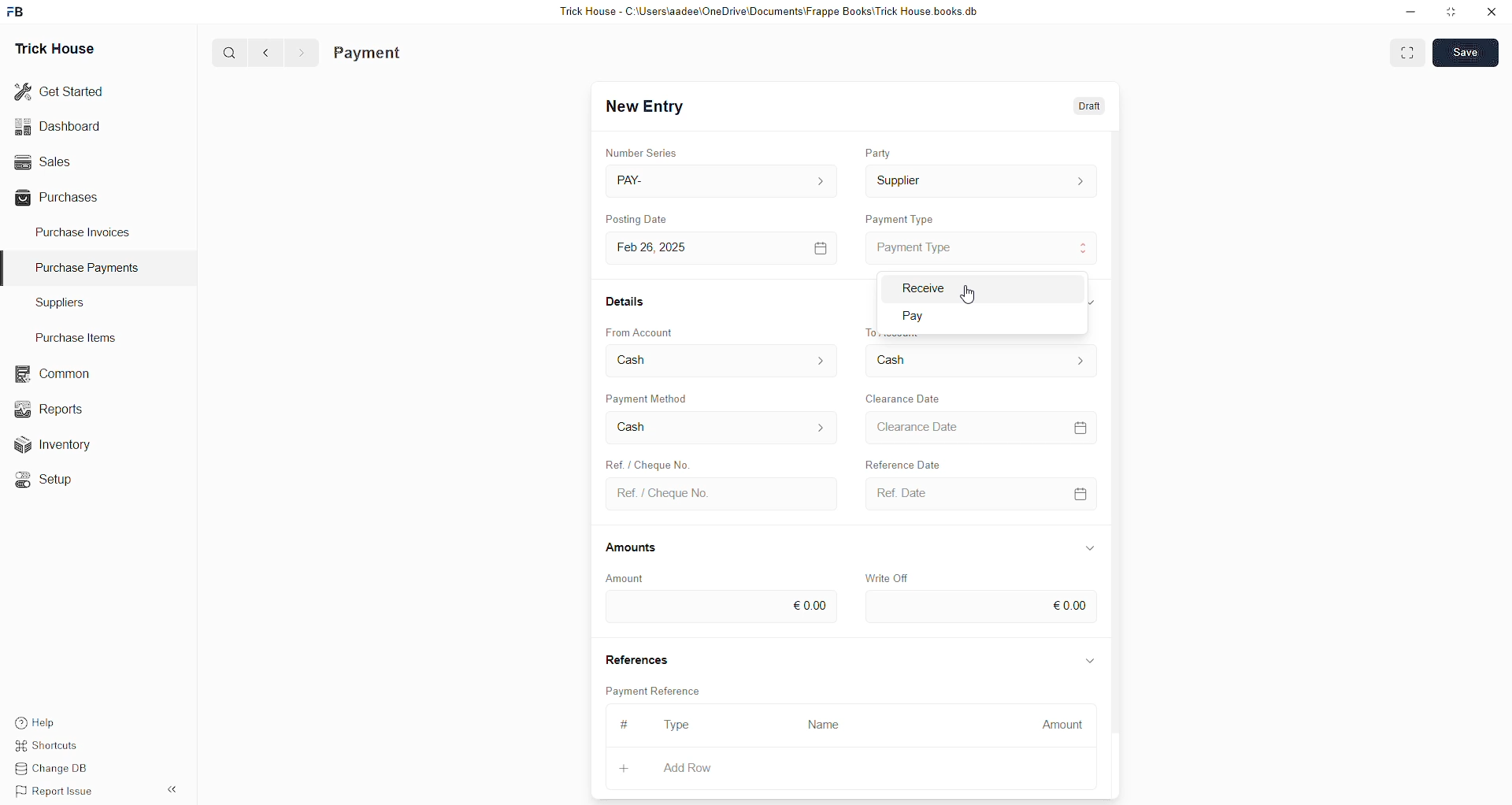  I want to click on Setup, so click(43, 478).